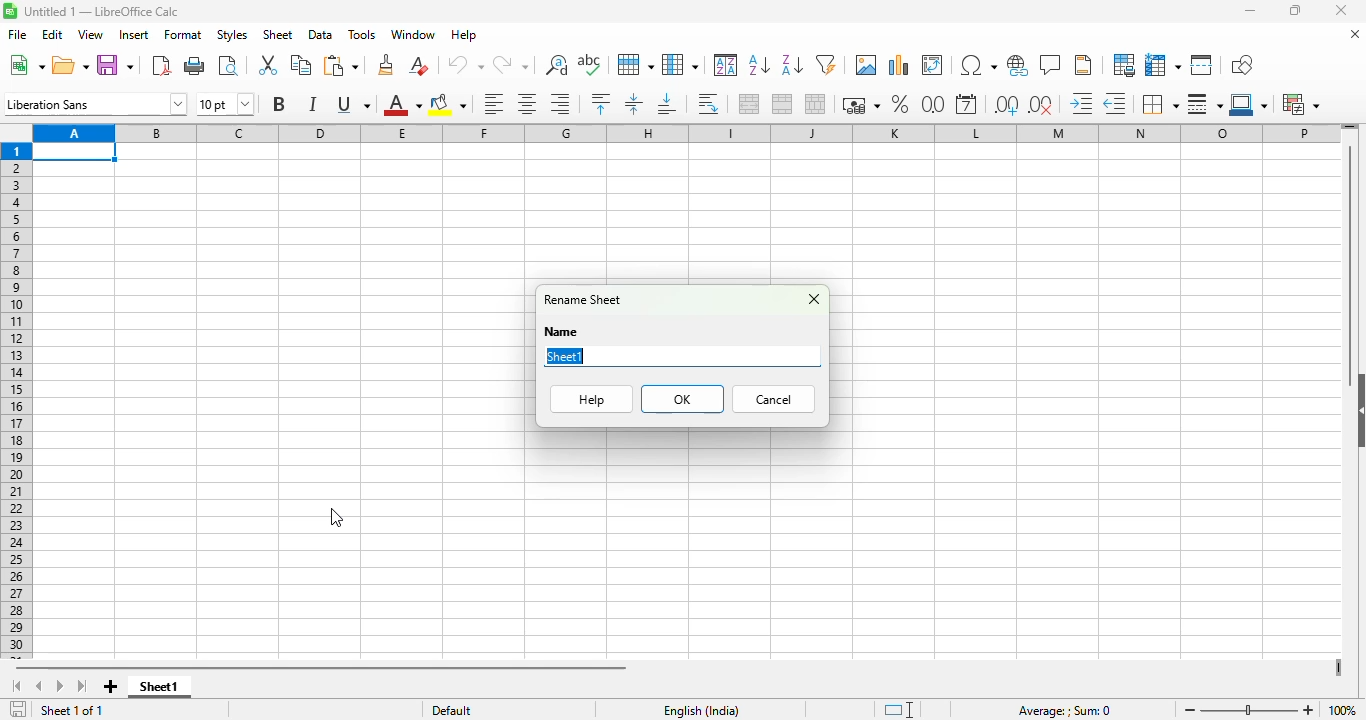 The image size is (1366, 720). Describe the element at coordinates (932, 64) in the screenshot. I see `insert or edit pivot table` at that location.